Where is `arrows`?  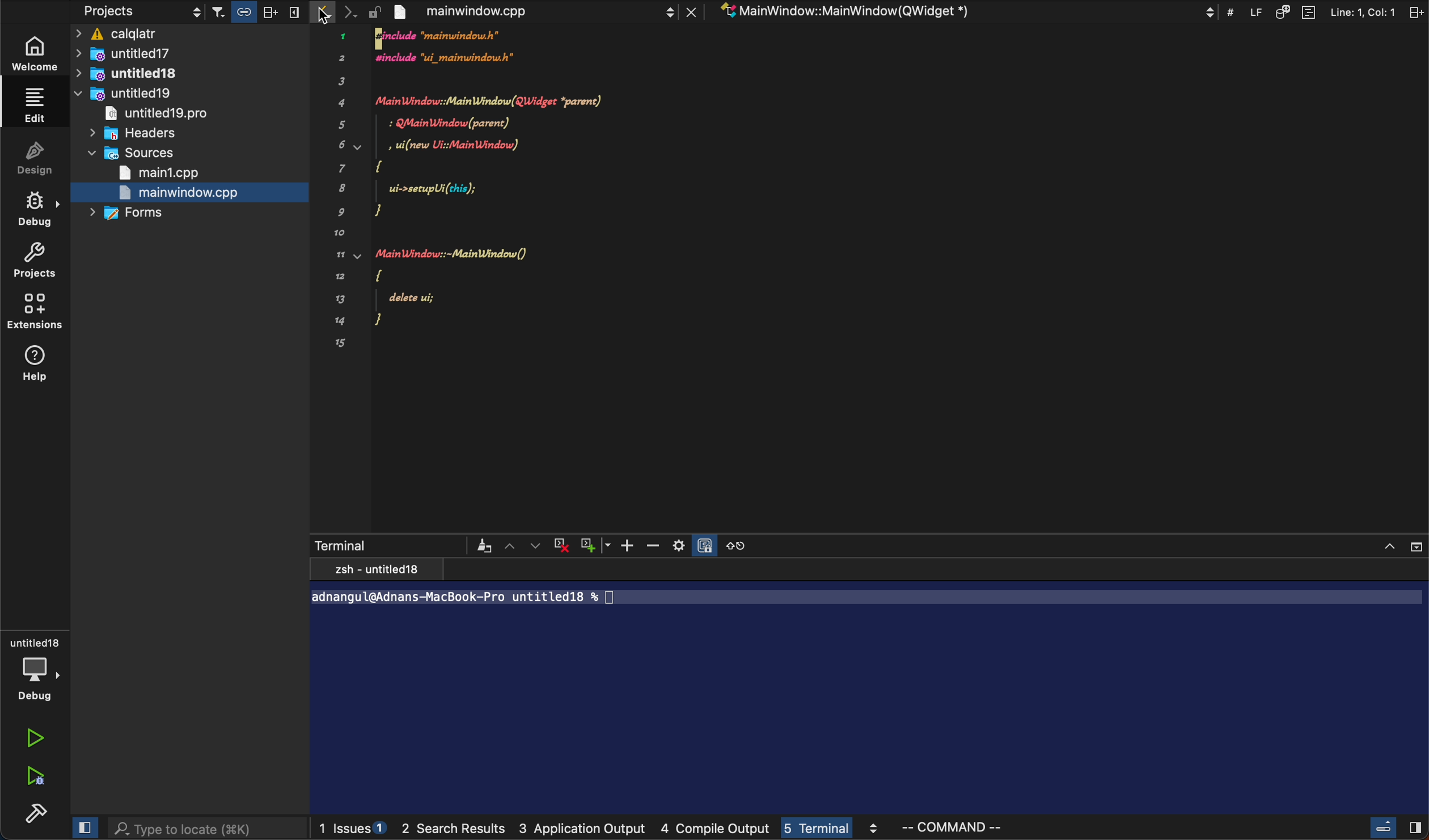 arrows is located at coordinates (523, 545).